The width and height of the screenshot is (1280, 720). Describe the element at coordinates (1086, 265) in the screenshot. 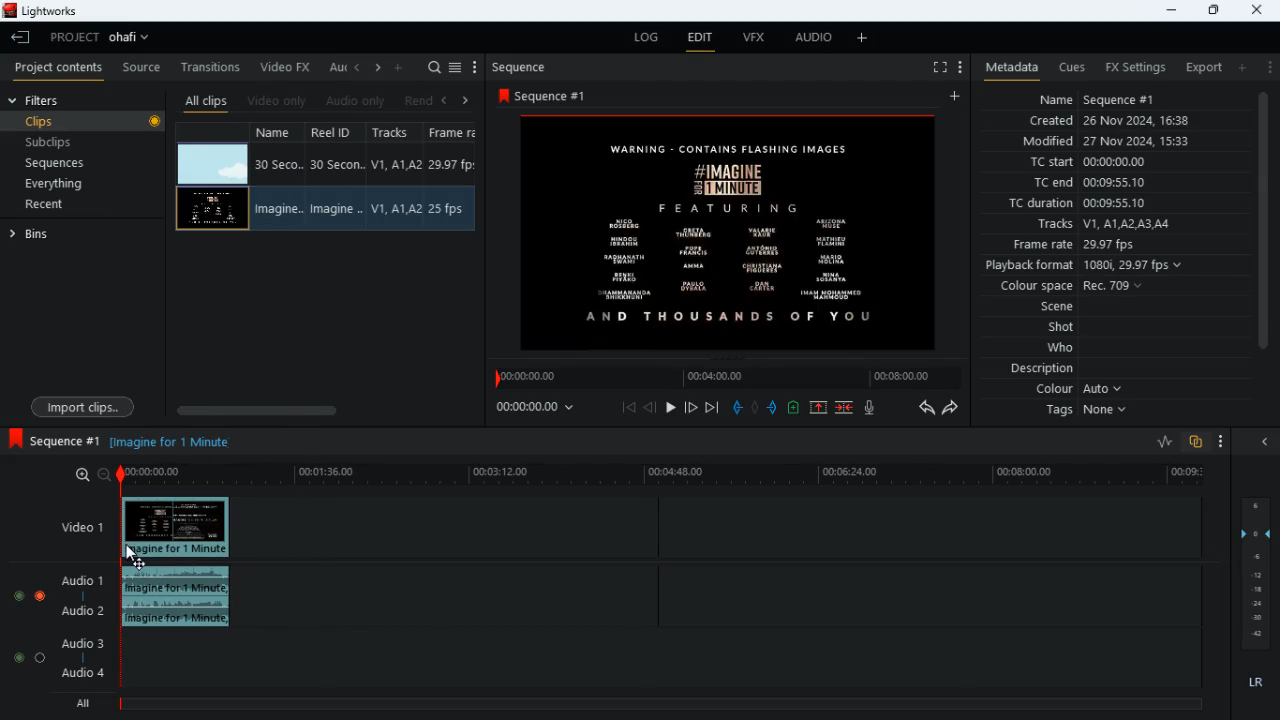

I see `playback format` at that location.